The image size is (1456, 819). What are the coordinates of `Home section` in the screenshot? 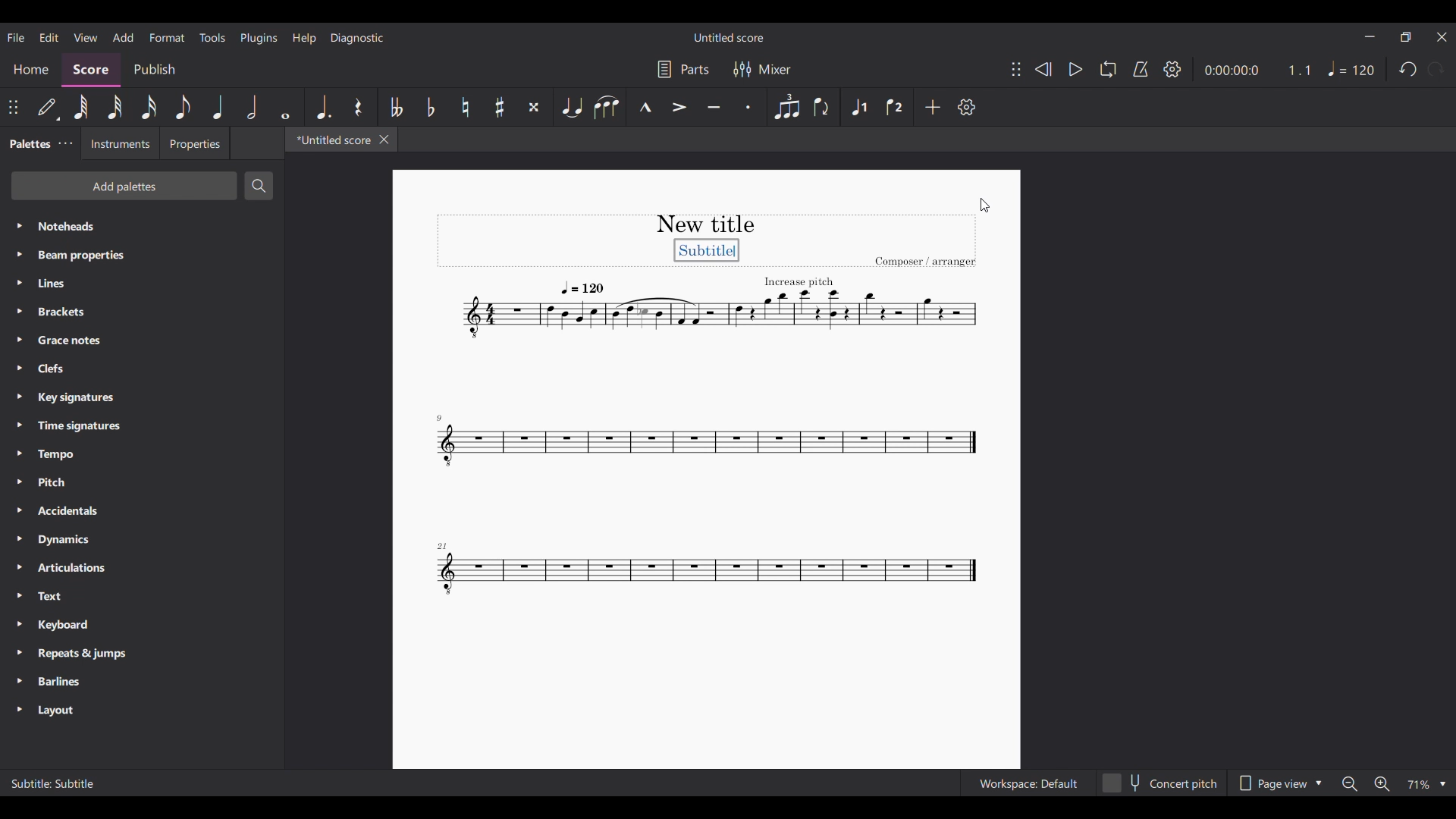 It's located at (30, 70).